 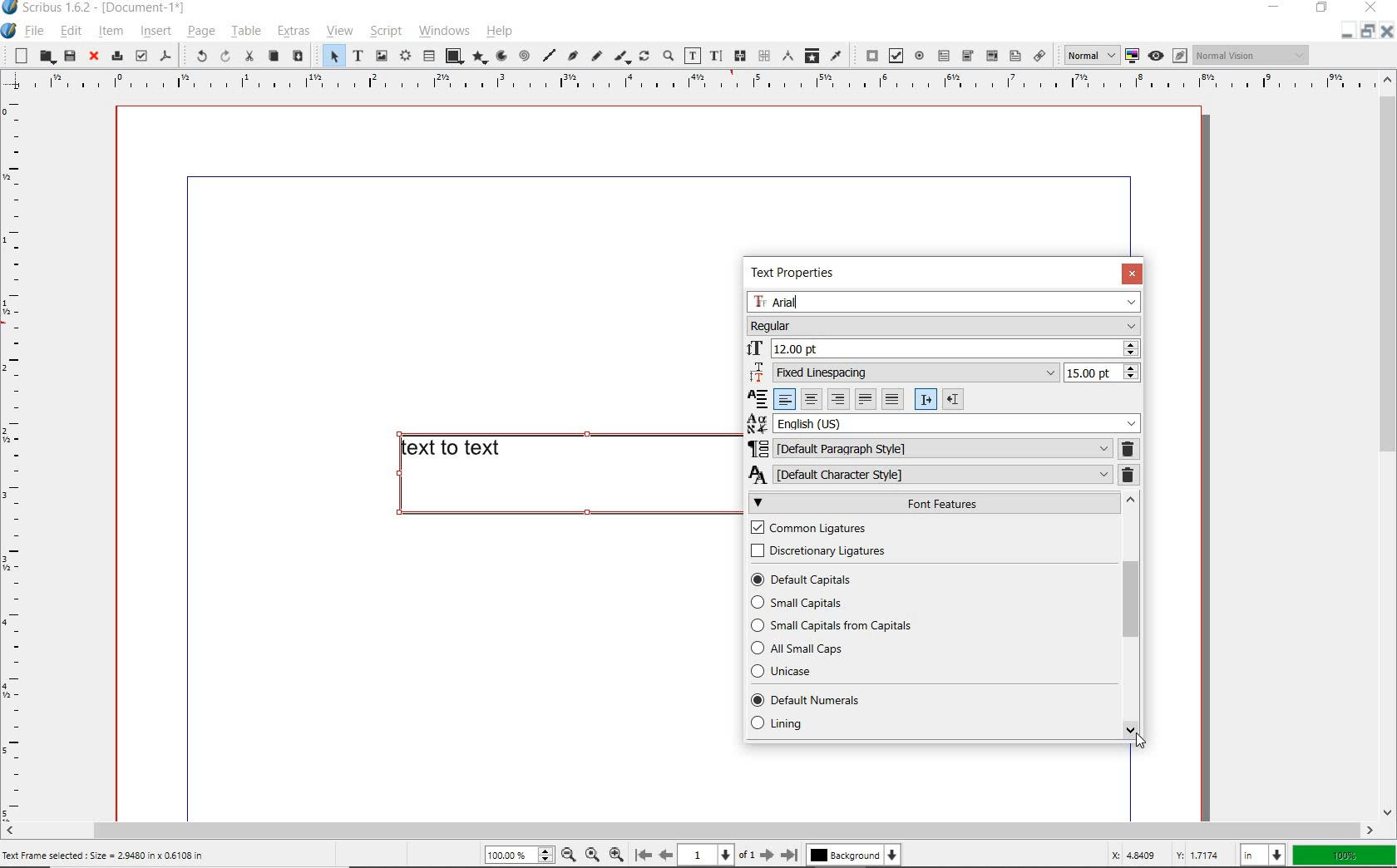 What do you see at coordinates (644, 57) in the screenshot?
I see `rotate item` at bounding box center [644, 57].